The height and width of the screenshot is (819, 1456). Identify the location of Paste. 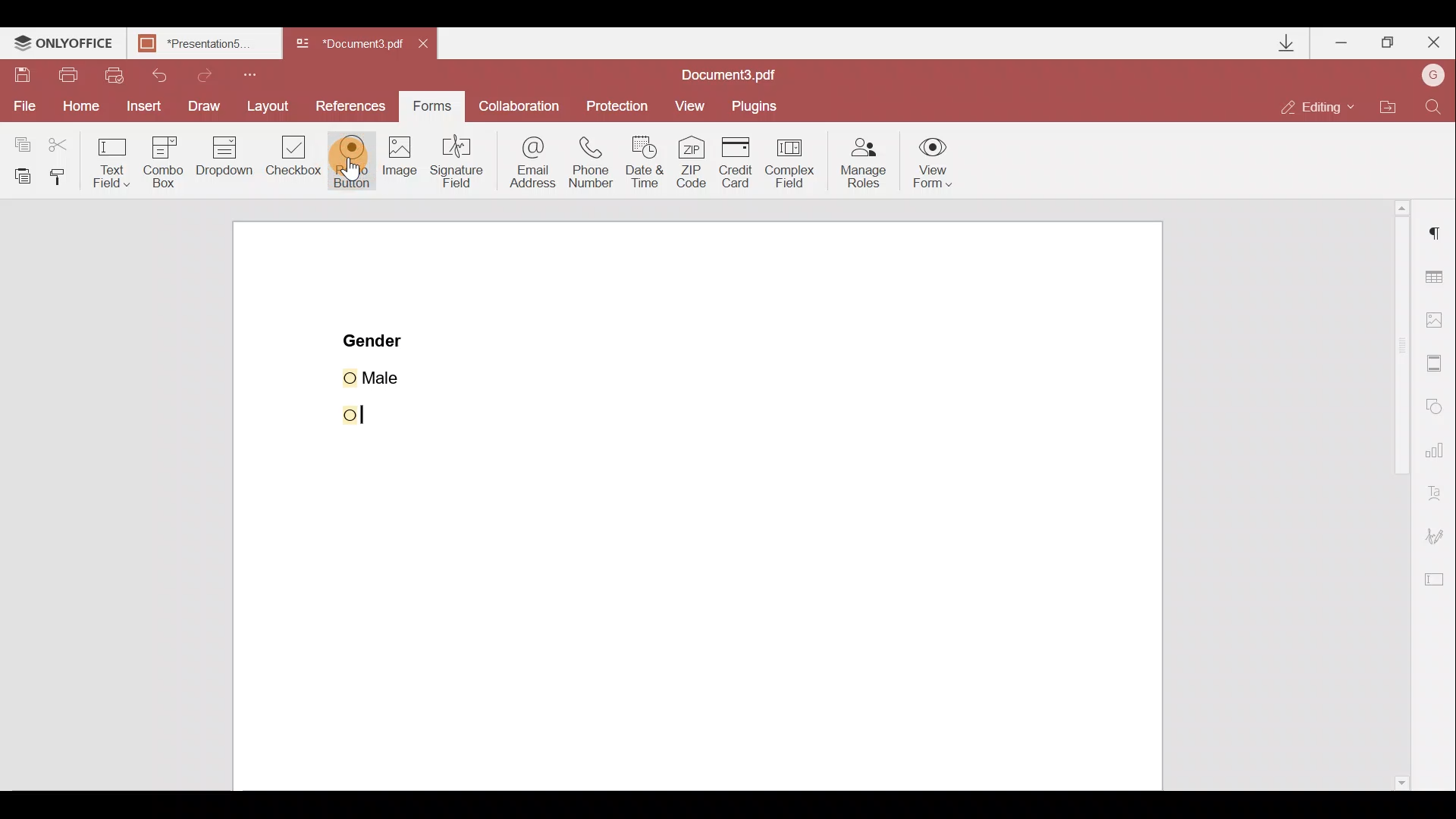
(20, 174).